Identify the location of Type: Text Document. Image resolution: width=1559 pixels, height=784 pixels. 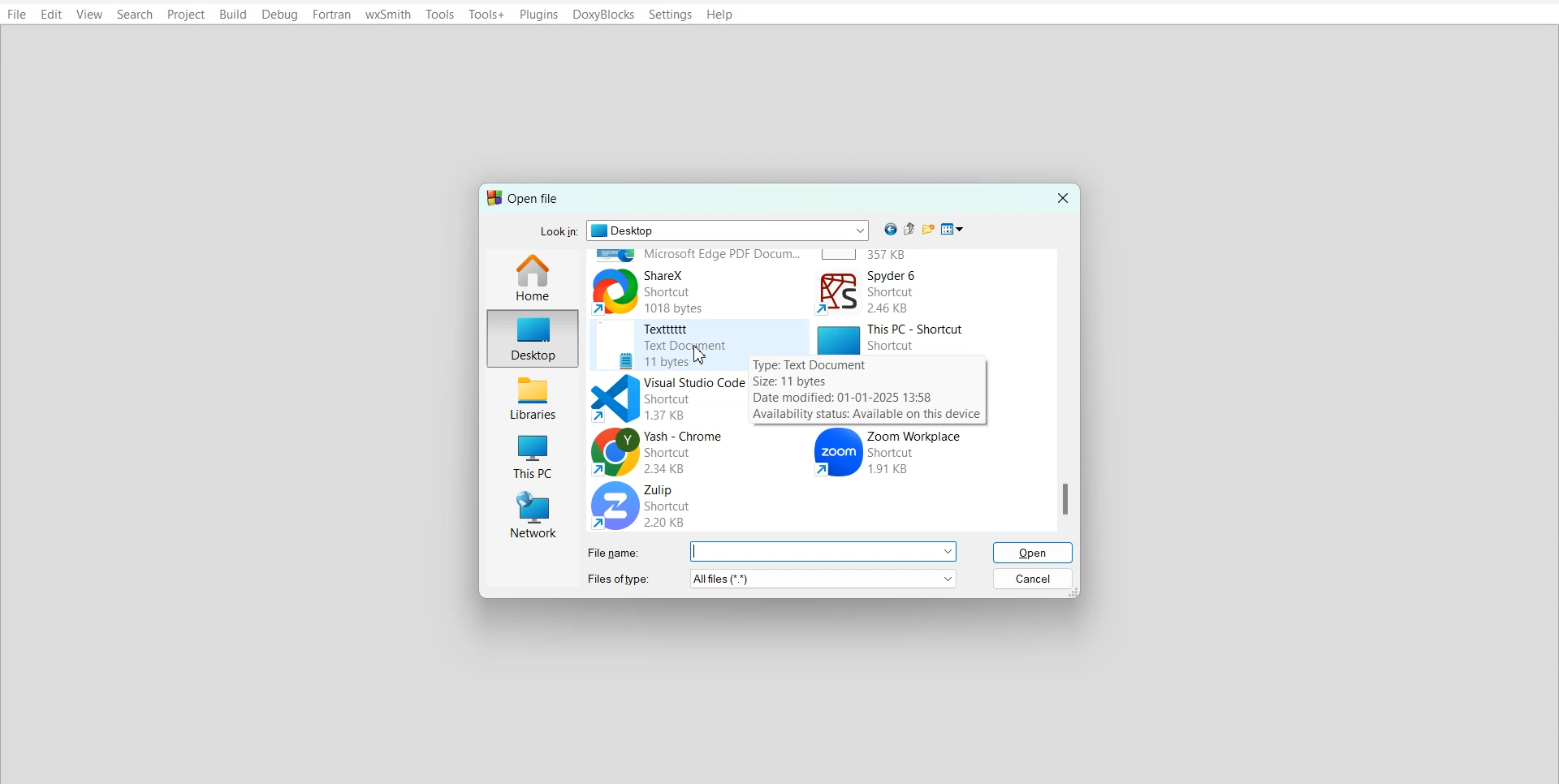
(814, 364).